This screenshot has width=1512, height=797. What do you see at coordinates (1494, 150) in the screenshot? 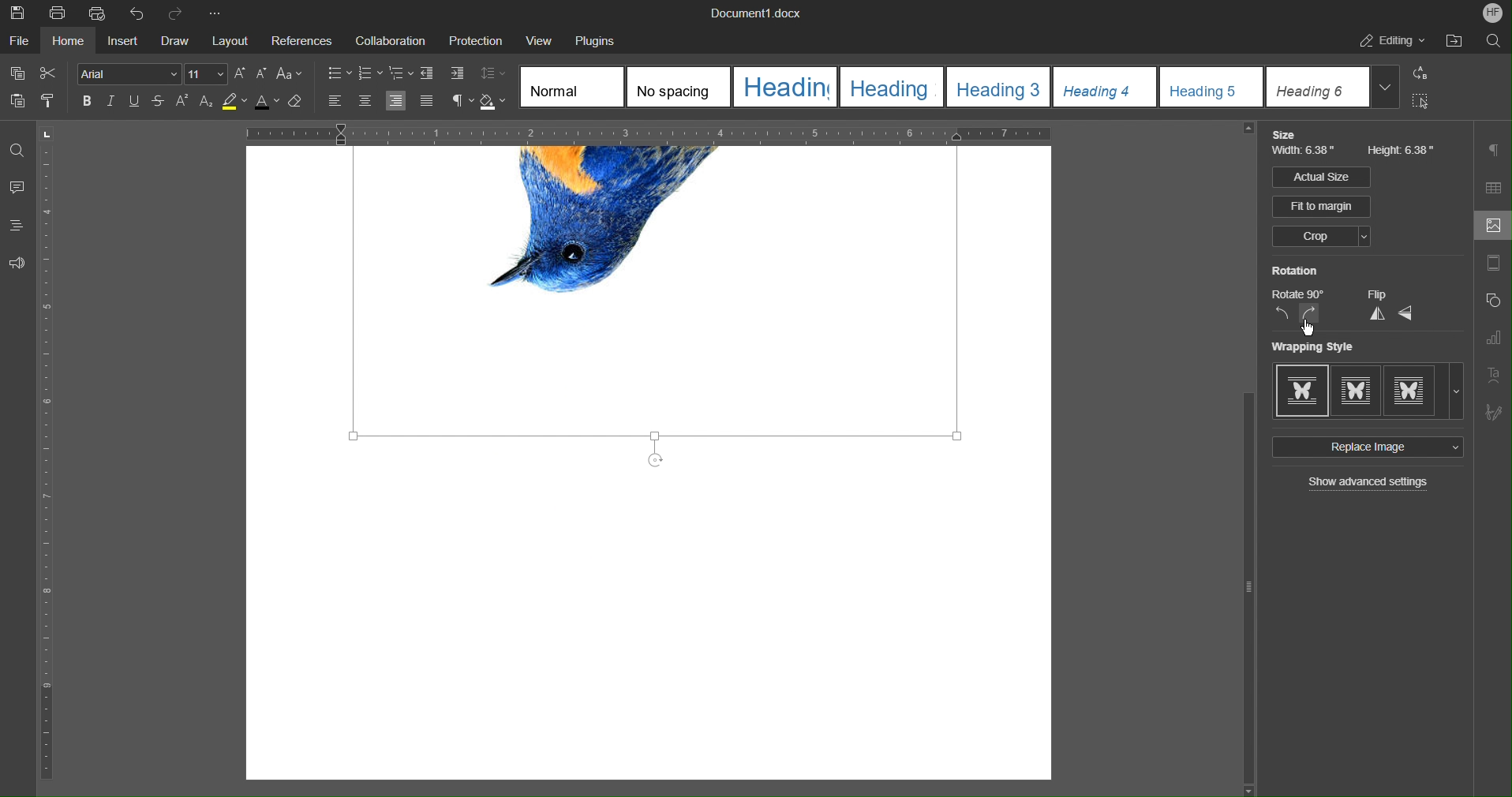
I see `Paragraph Settings` at bounding box center [1494, 150].